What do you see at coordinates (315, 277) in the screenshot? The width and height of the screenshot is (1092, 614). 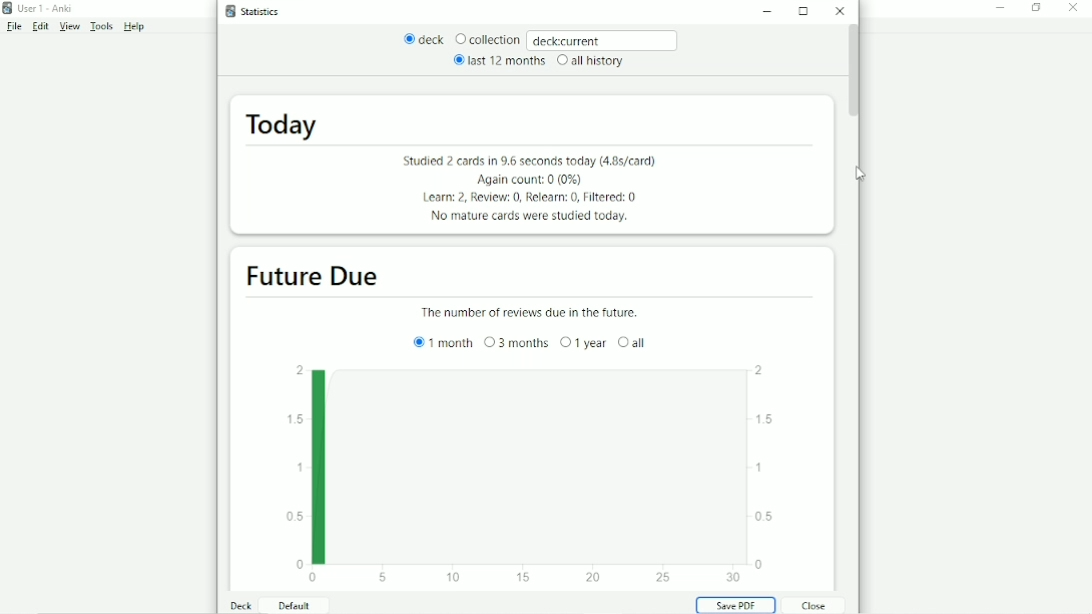 I see `Future Due` at bounding box center [315, 277].